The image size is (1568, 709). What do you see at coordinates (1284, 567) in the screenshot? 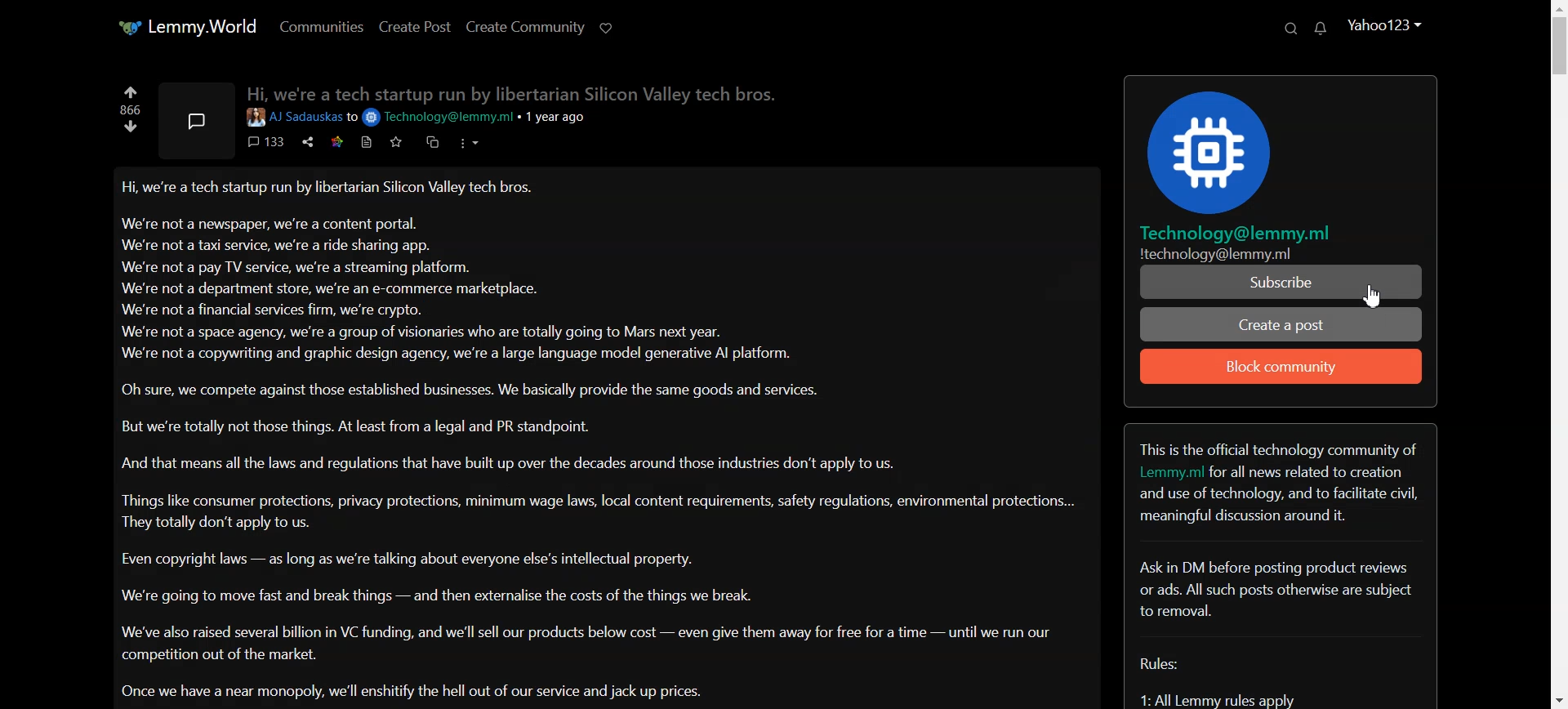
I see `Text` at bounding box center [1284, 567].